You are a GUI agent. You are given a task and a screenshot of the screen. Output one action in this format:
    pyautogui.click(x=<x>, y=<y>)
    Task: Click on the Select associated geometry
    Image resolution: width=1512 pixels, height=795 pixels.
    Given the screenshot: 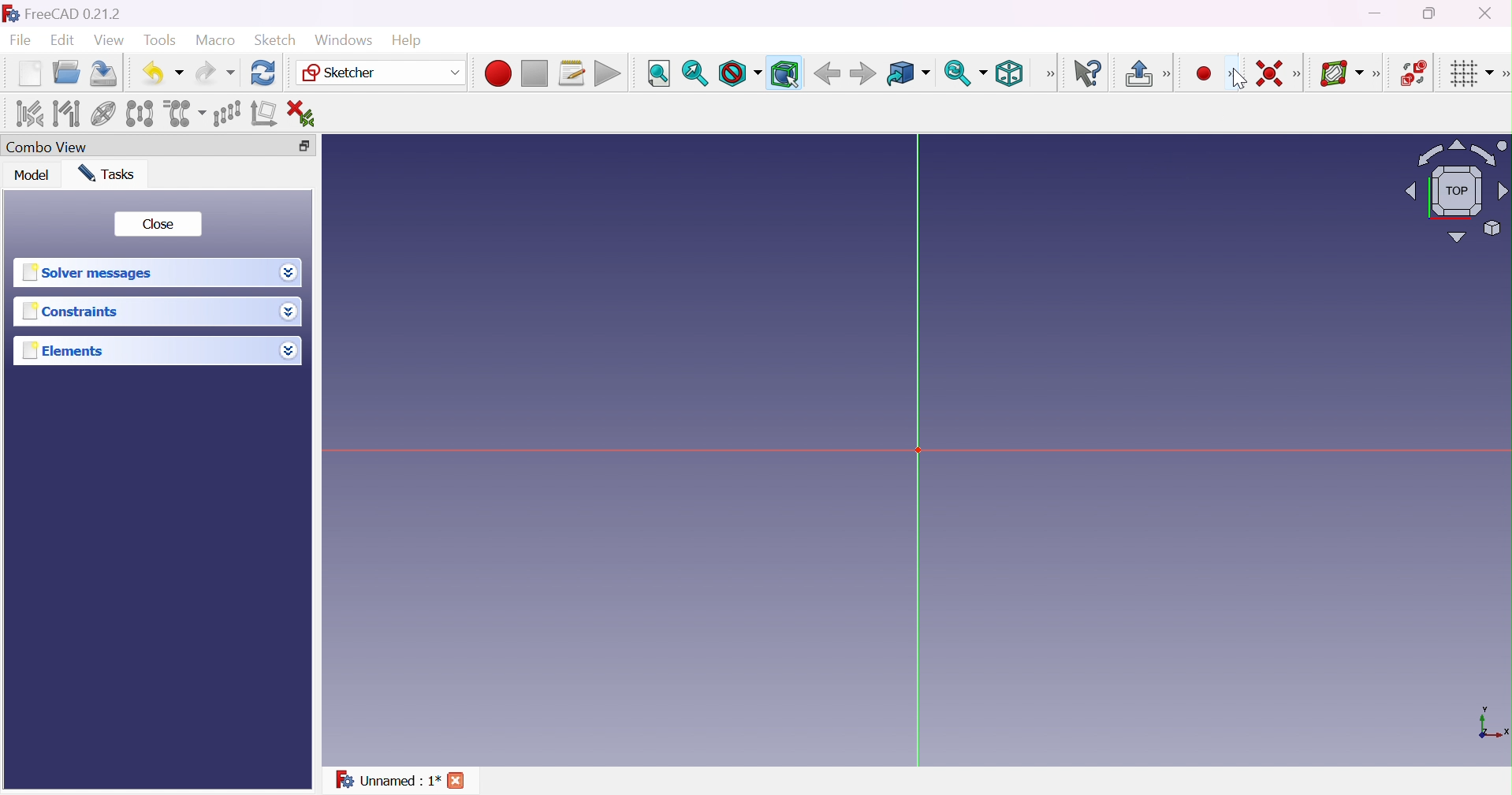 What is the action you would take?
    pyautogui.click(x=66, y=114)
    